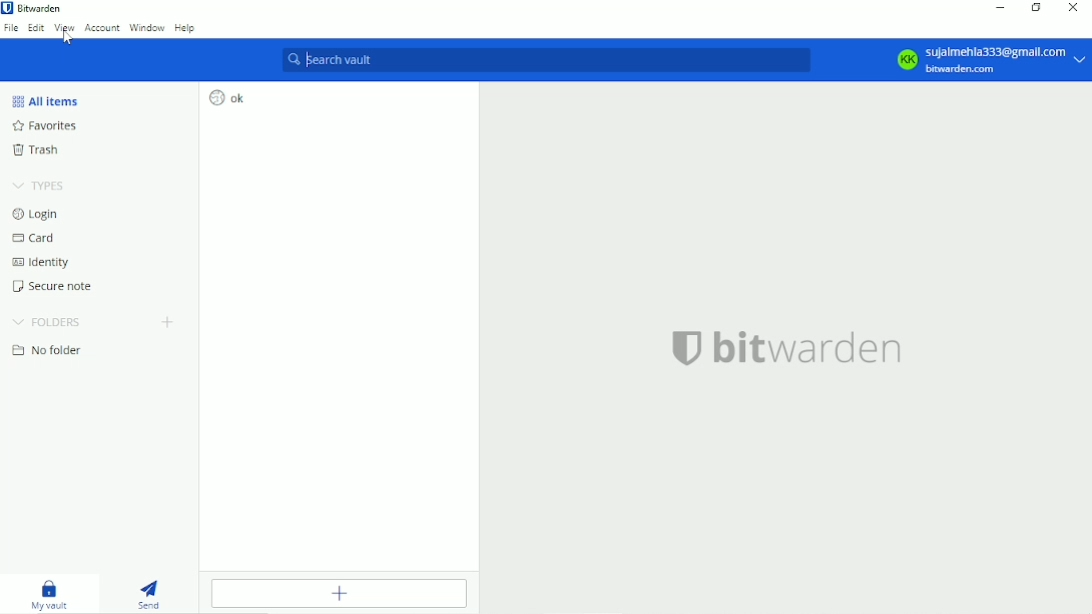 The width and height of the screenshot is (1092, 614). I want to click on Minimize, so click(997, 7).